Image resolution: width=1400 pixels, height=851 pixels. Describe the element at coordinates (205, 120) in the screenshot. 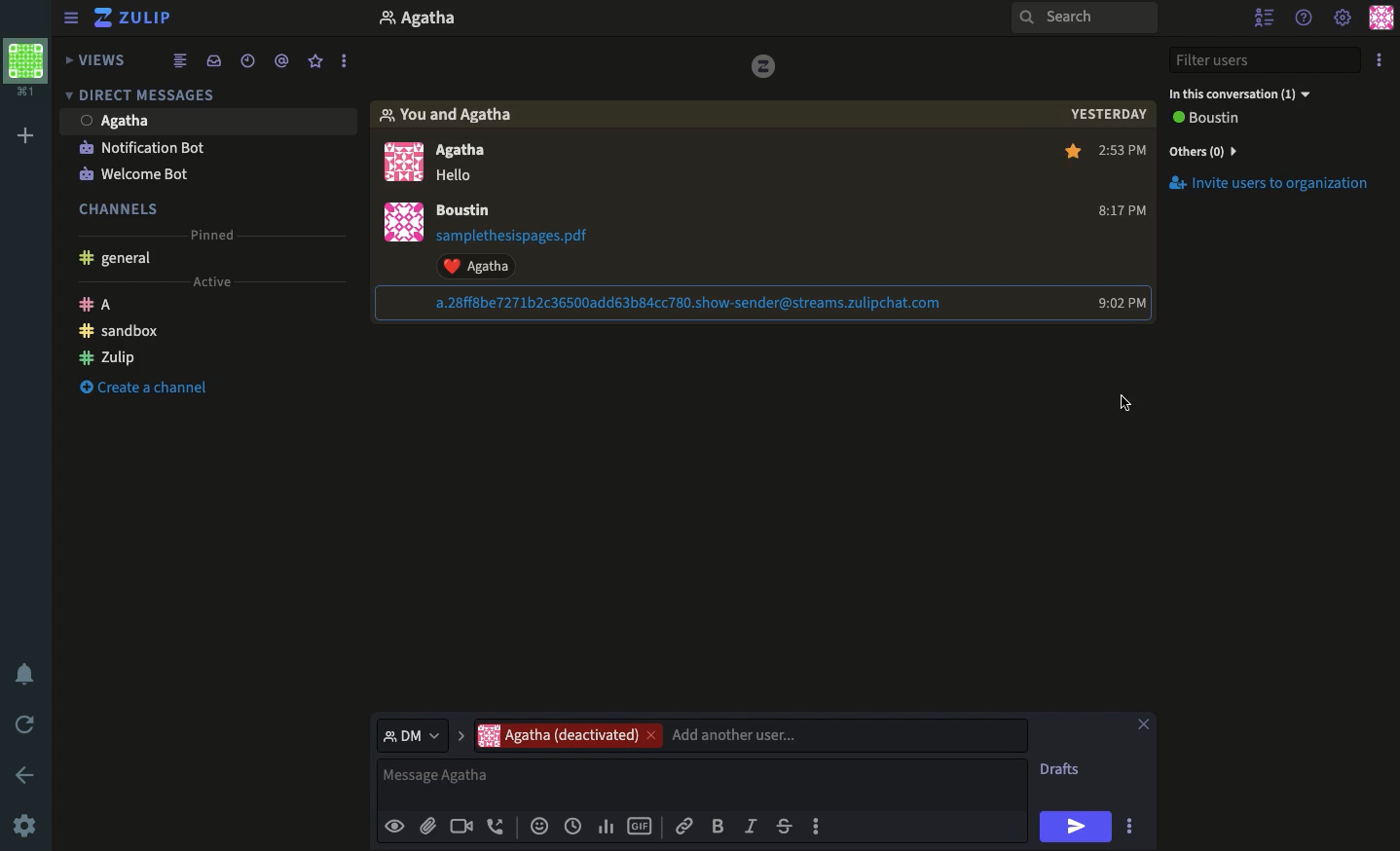

I see `User` at that location.